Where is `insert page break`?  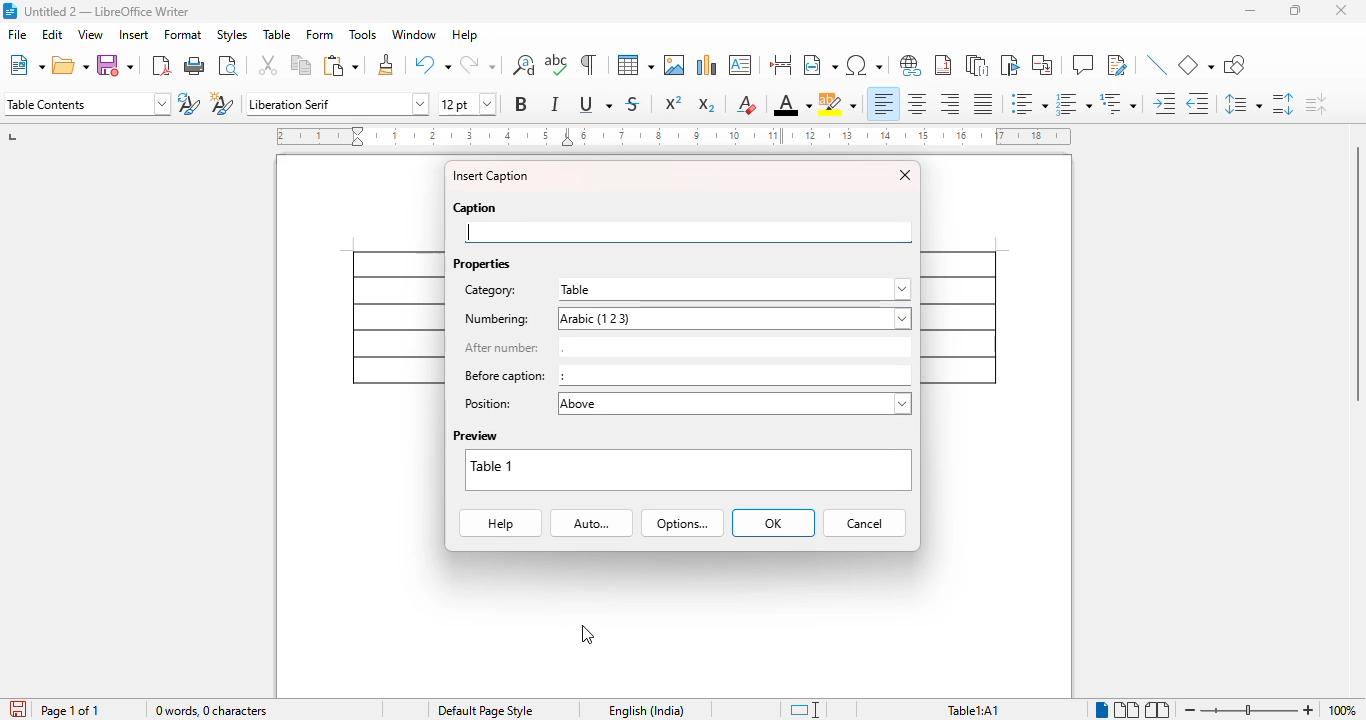
insert page break is located at coordinates (780, 64).